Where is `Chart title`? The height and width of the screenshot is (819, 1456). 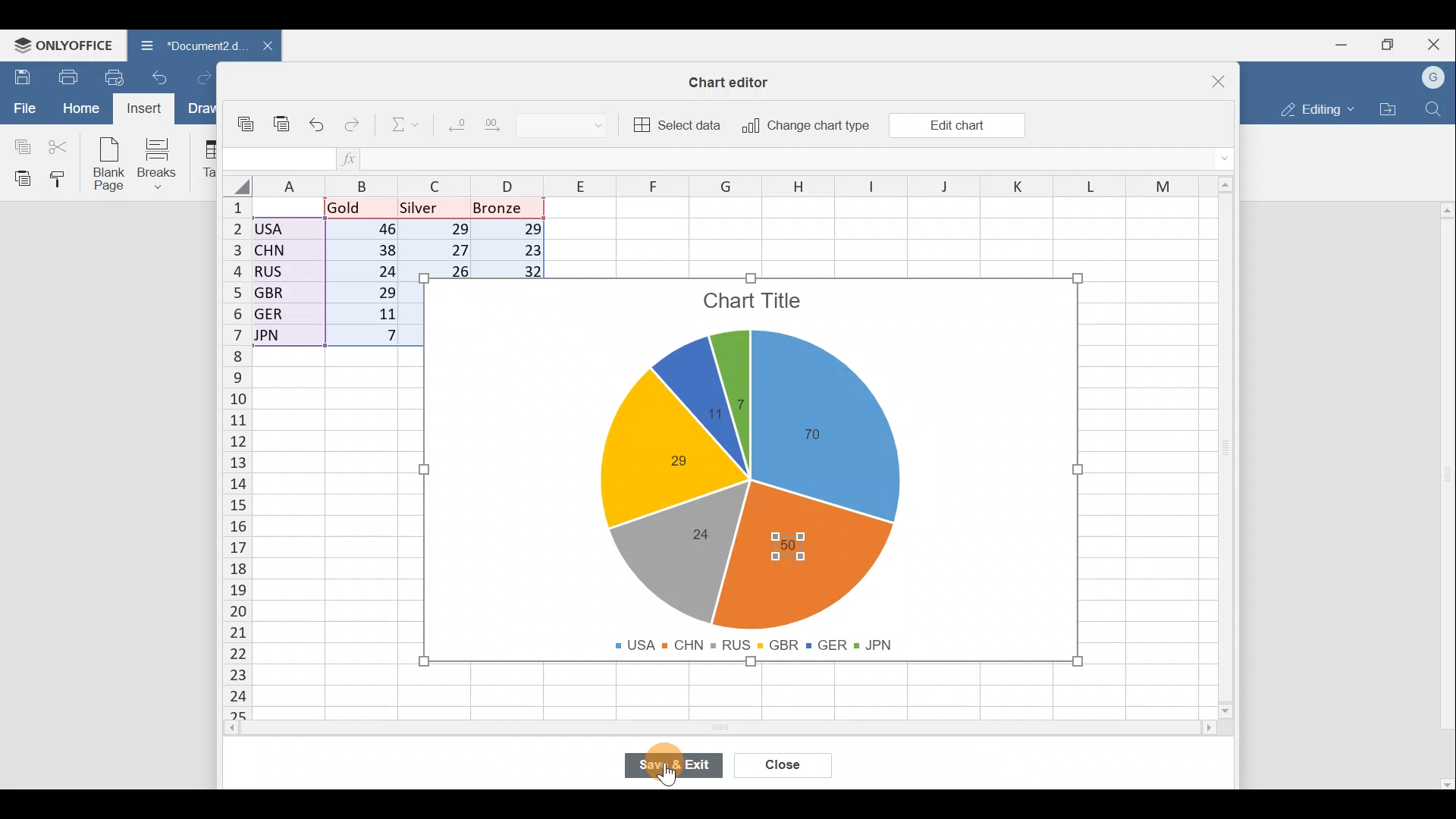
Chart title is located at coordinates (755, 304).